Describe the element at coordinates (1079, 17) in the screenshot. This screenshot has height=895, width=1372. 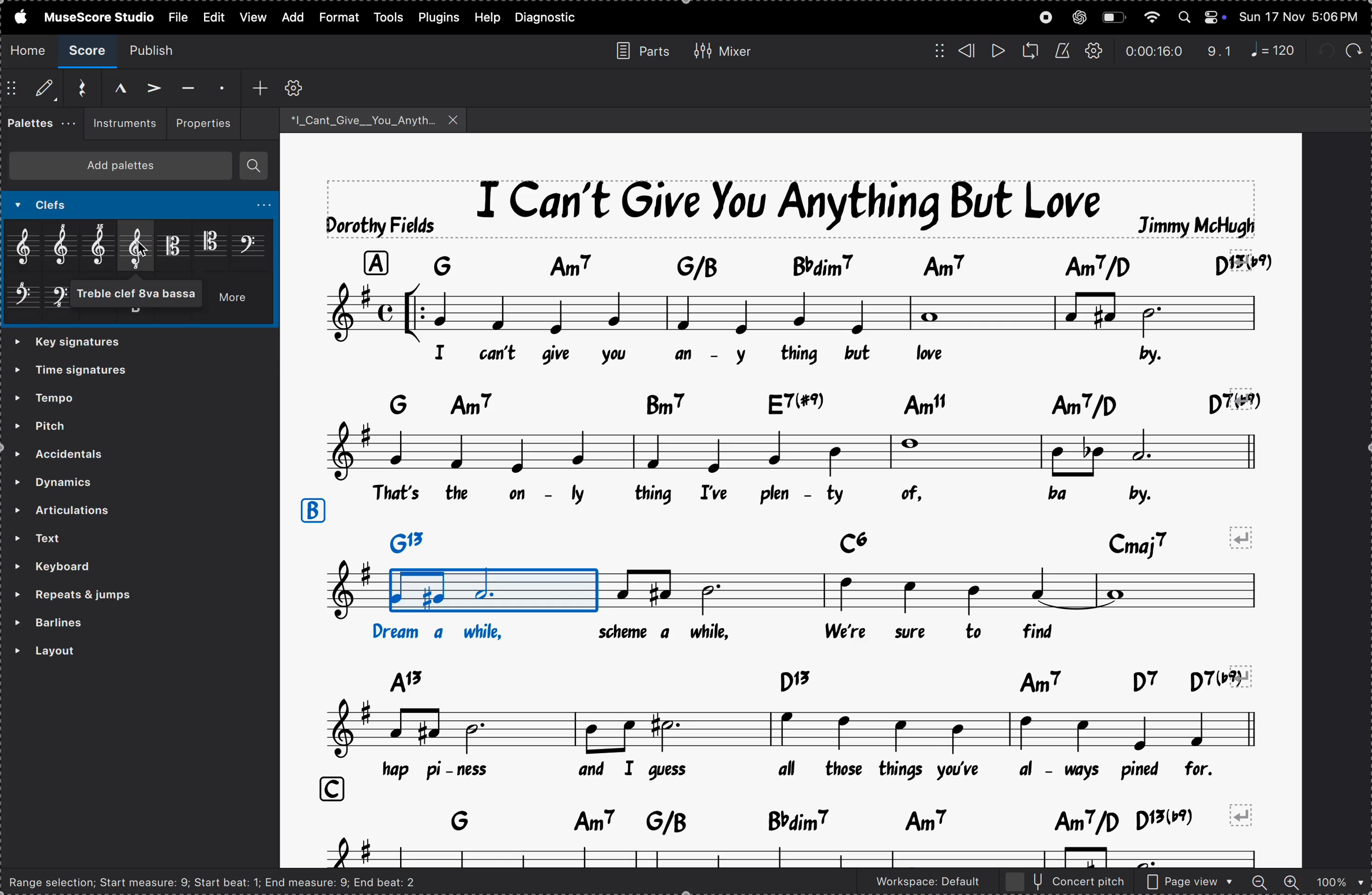
I see `chatgpt` at that location.